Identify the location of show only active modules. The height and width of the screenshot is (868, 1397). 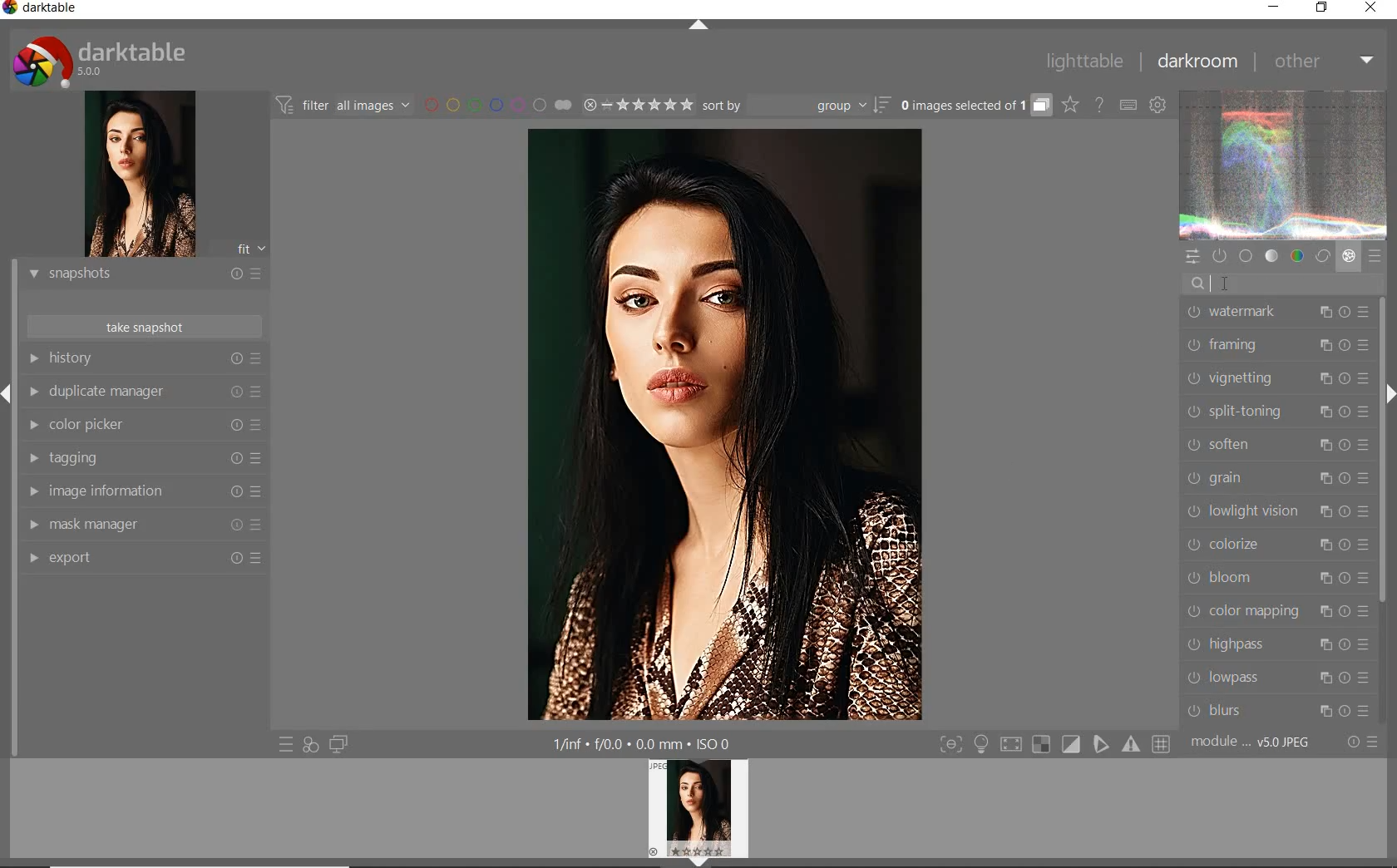
(1220, 257).